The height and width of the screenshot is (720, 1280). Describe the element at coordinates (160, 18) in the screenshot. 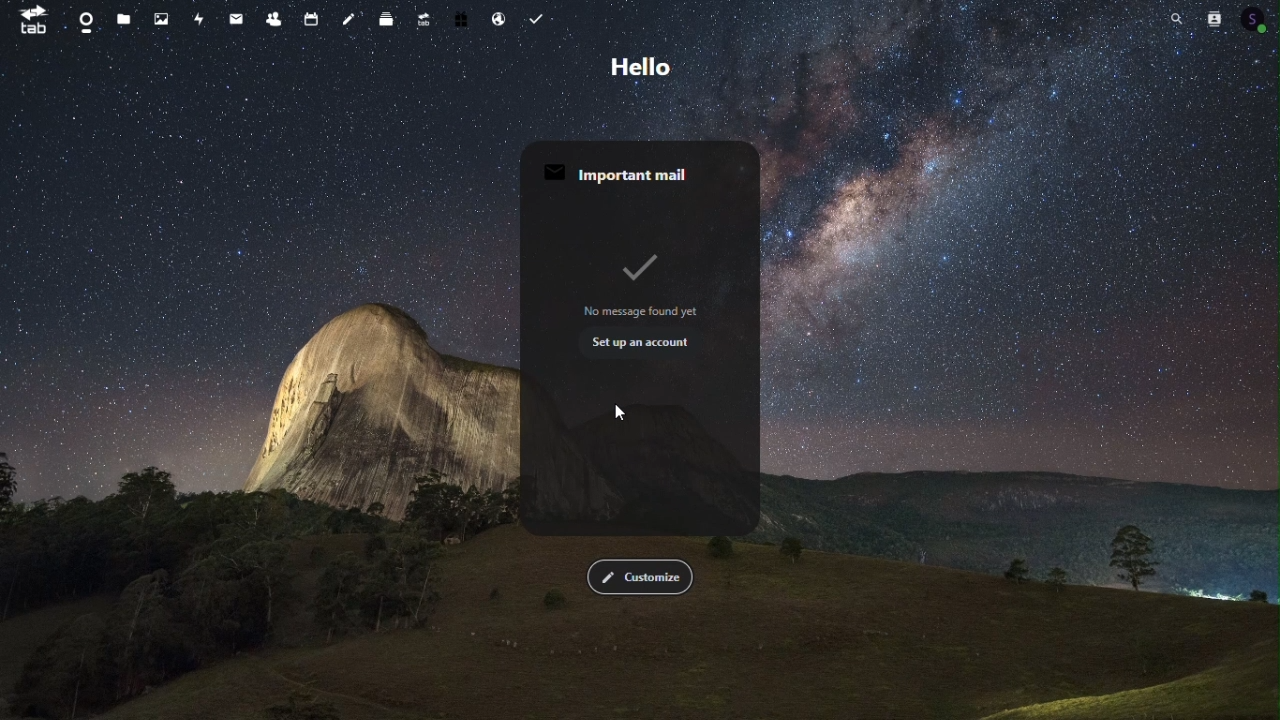

I see `Photos` at that location.